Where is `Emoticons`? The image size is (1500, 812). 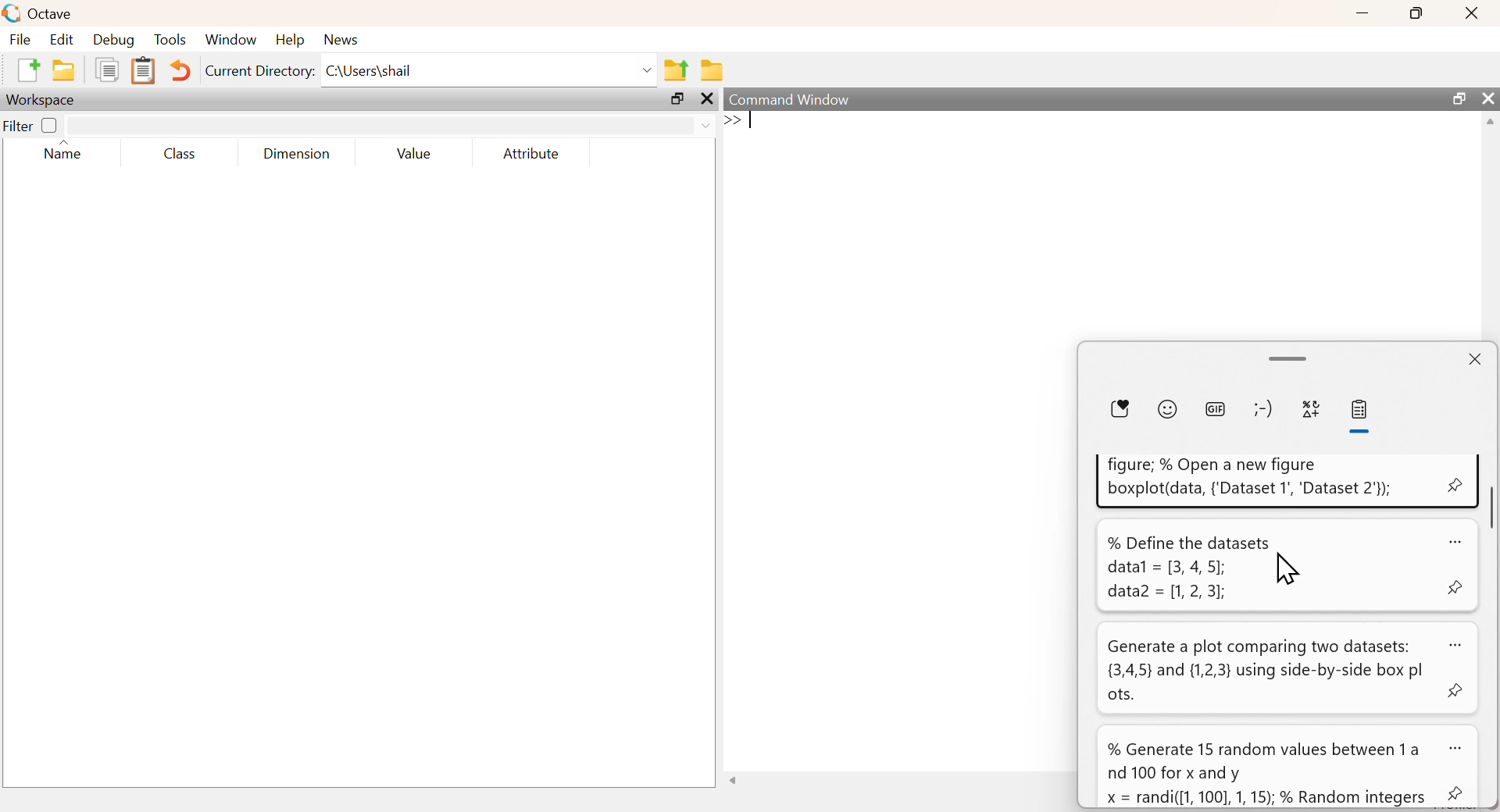
Emoticons is located at coordinates (1261, 408).